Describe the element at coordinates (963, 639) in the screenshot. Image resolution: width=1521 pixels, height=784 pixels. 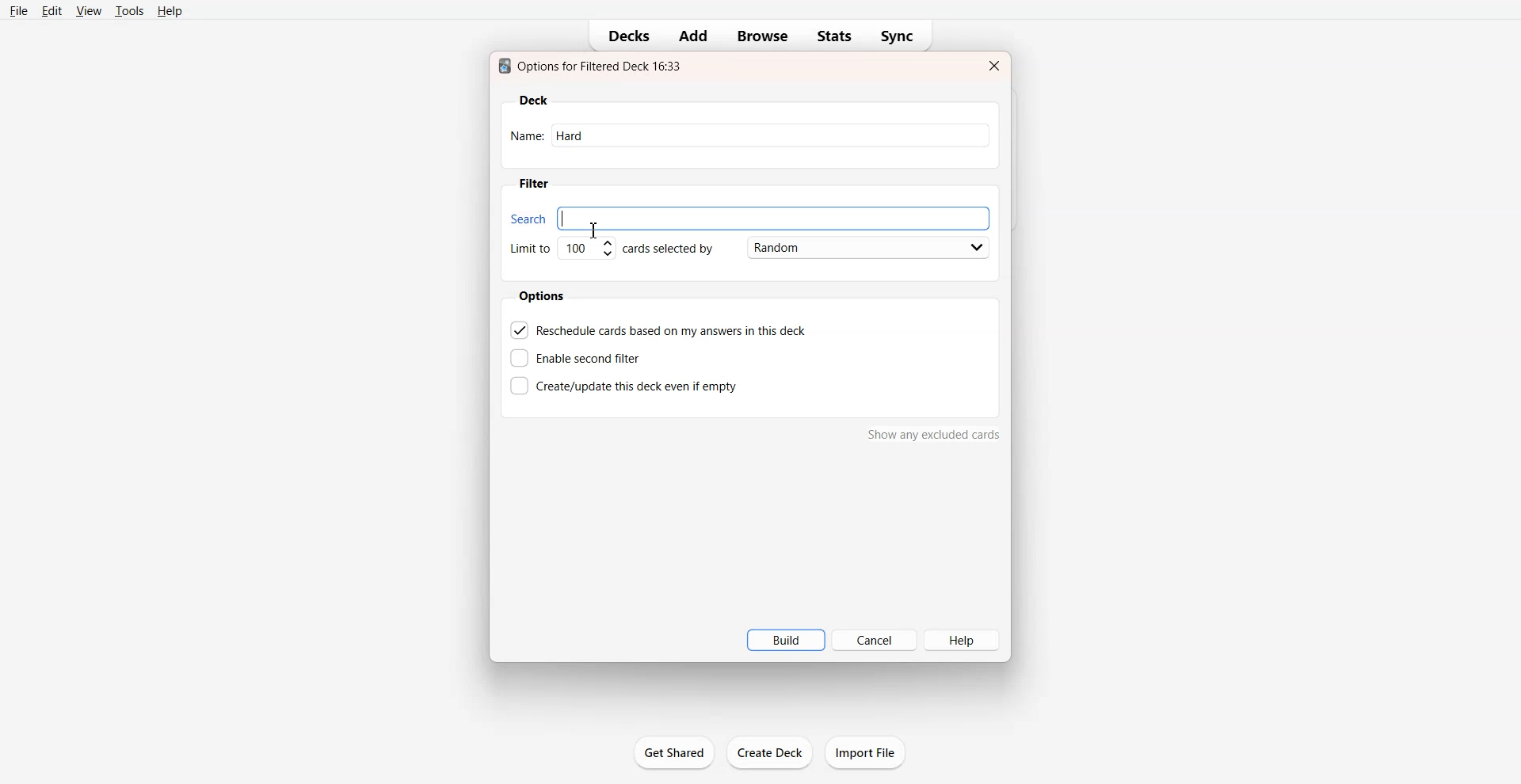
I see `Help` at that location.